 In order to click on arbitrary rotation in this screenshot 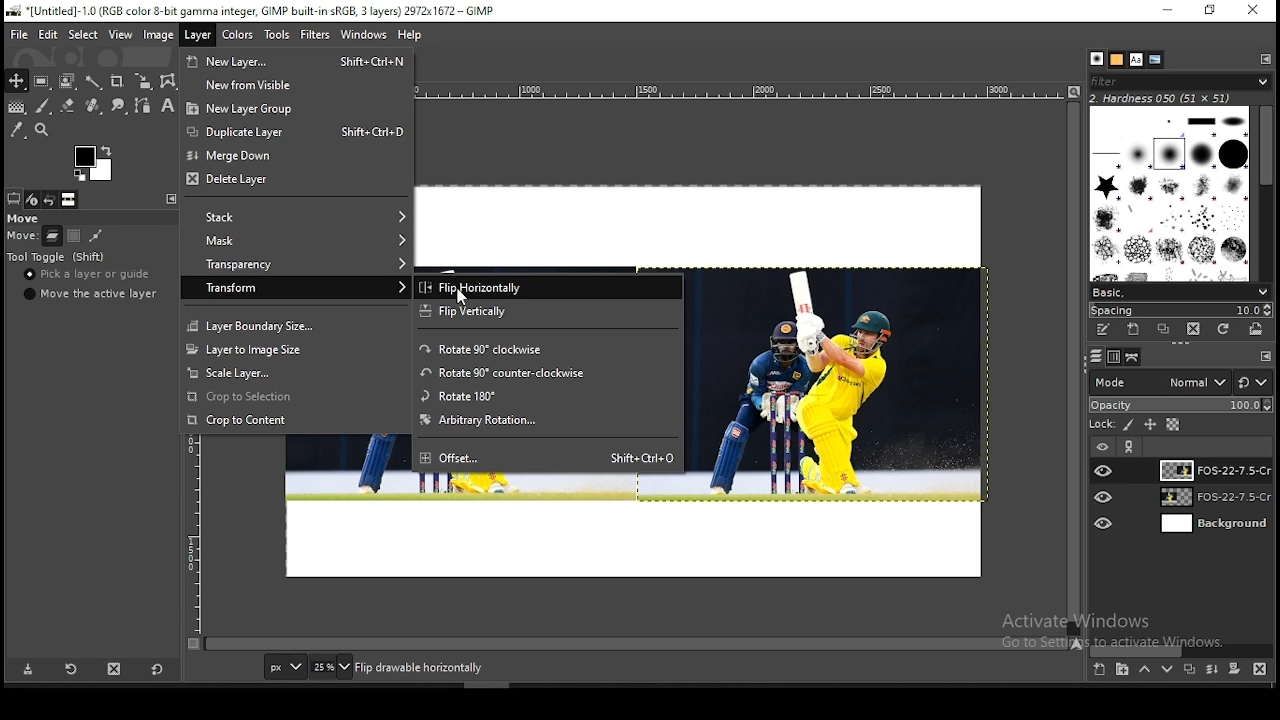, I will do `click(549, 421)`.